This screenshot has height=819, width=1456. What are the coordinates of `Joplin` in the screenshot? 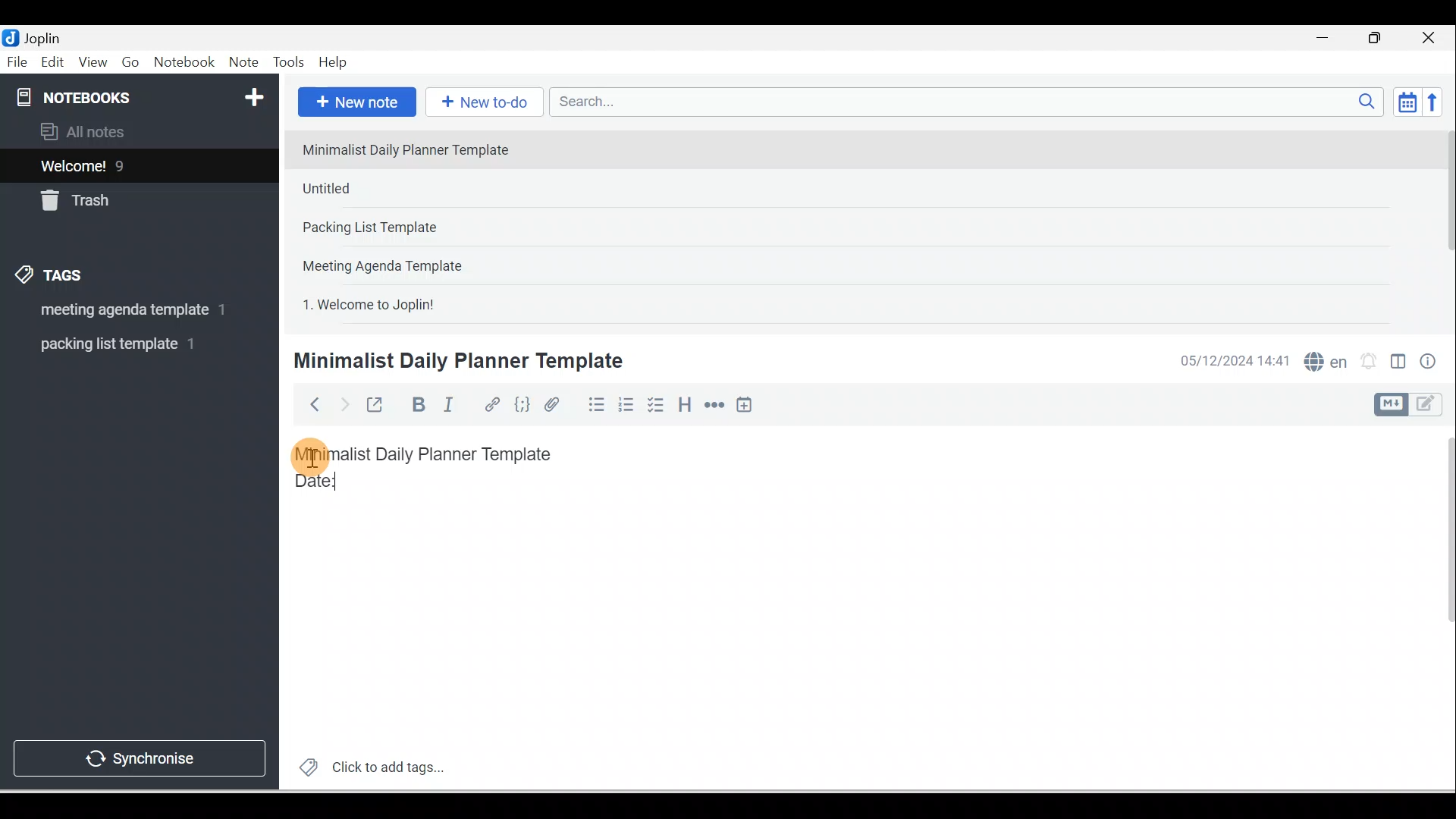 It's located at (46, 36).